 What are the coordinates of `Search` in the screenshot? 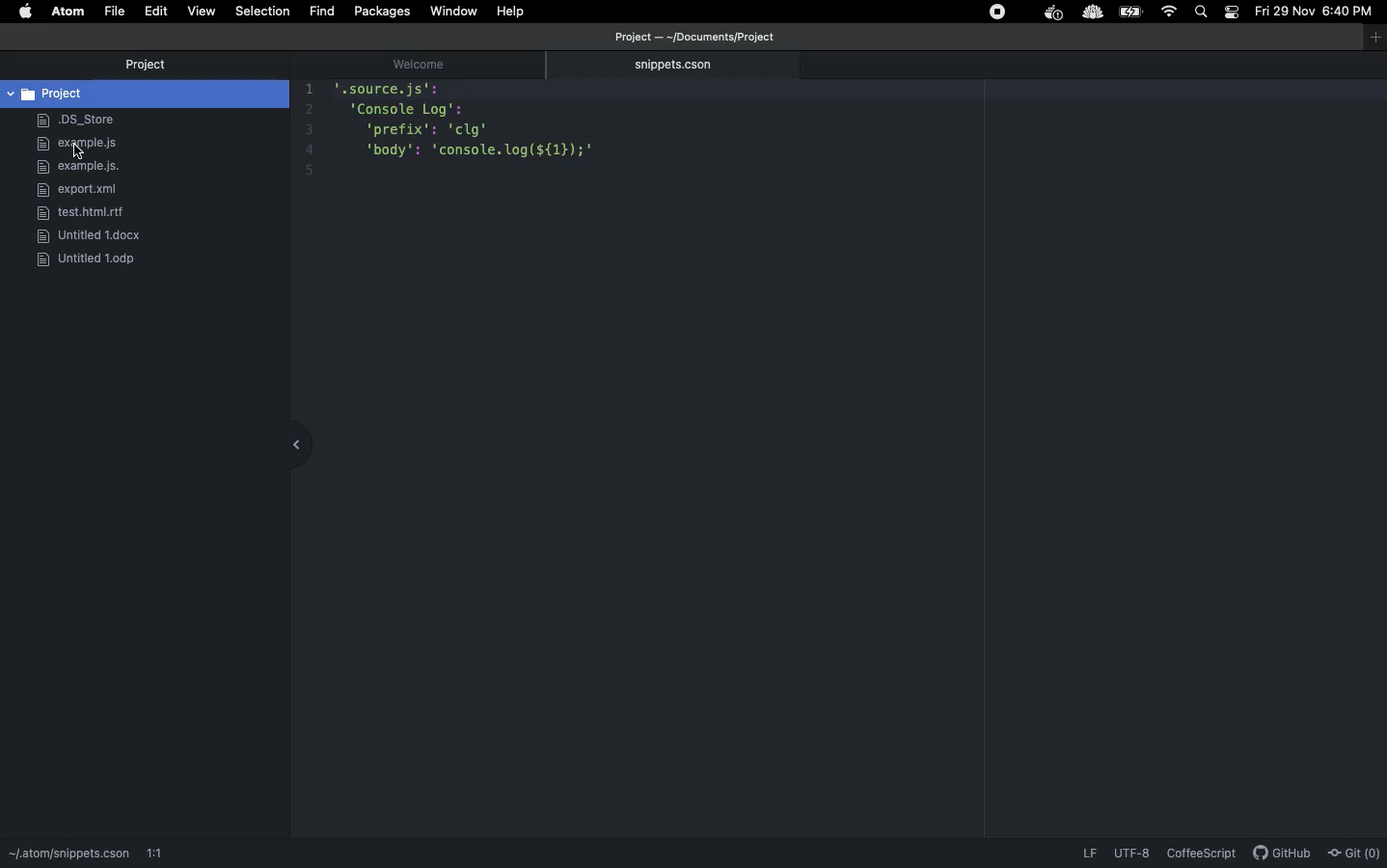 It's located at (1204, 12).